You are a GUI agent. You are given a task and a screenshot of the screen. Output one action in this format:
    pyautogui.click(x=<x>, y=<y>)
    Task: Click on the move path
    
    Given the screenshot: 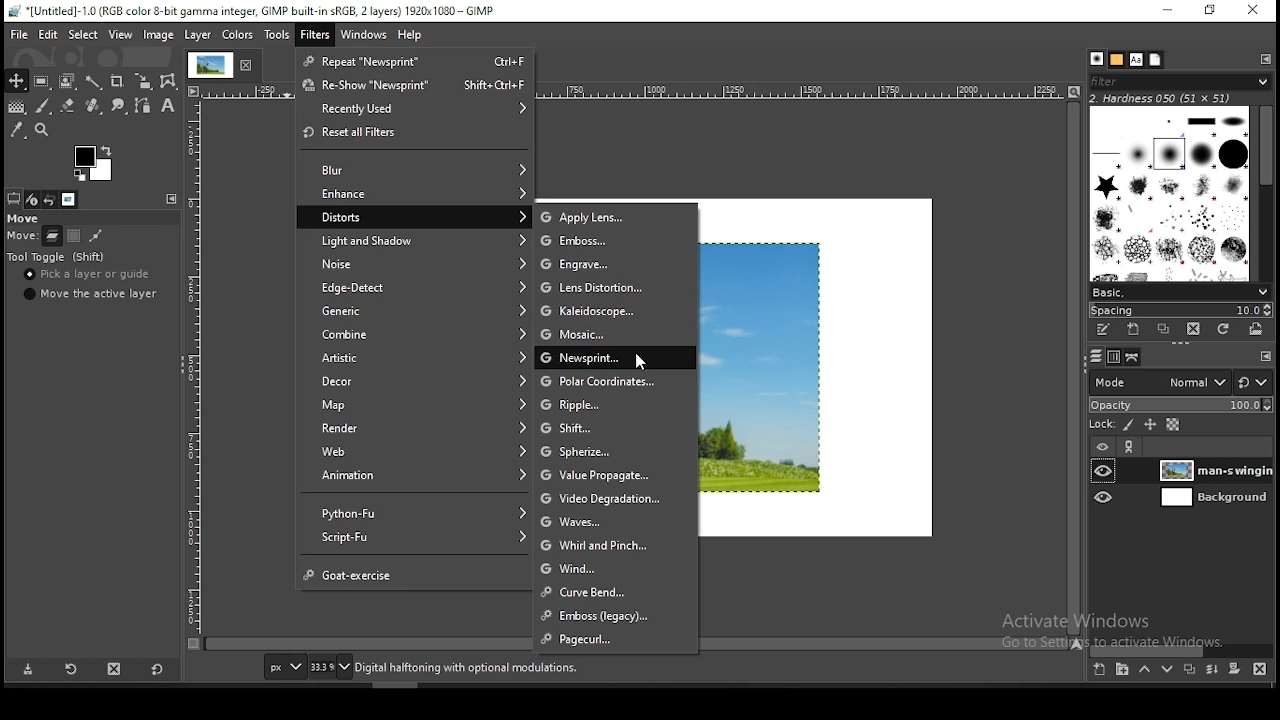 What is the action you would take?
    pyautogui.click(x=97, y=235)
    